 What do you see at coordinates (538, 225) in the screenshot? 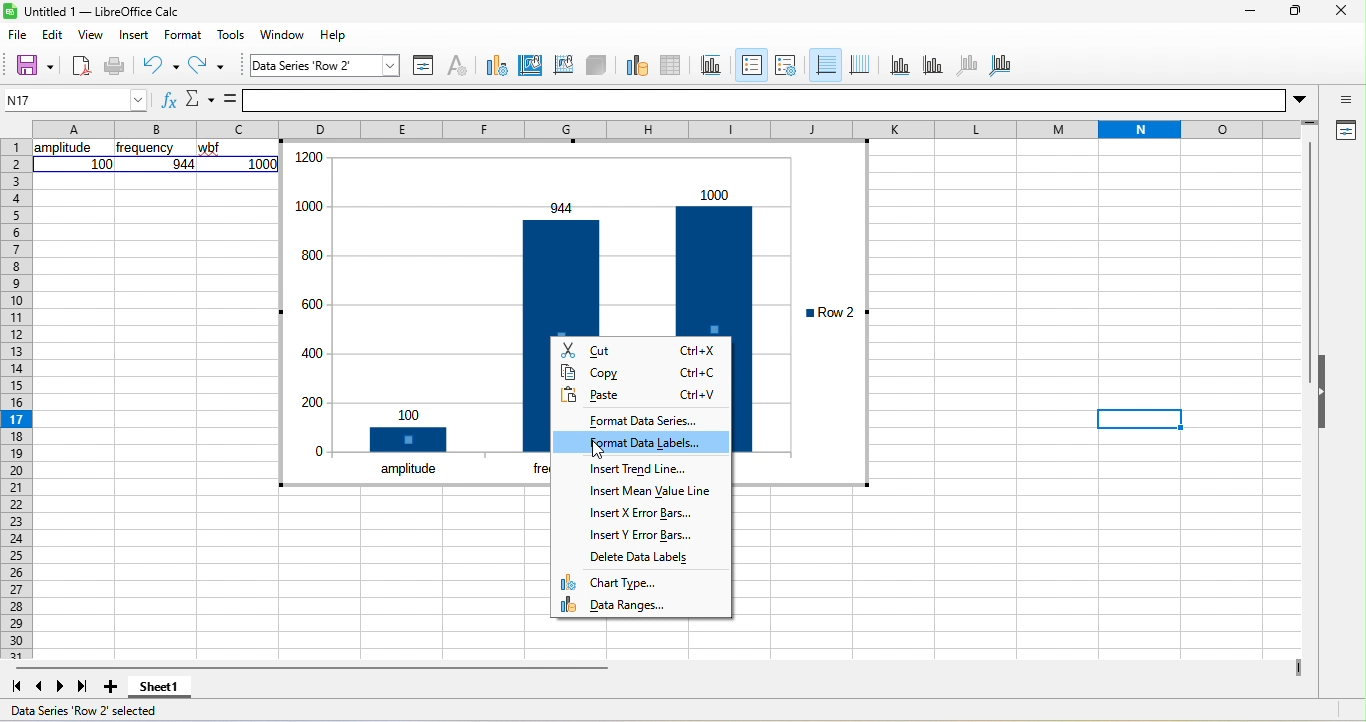
I see `chart` at bounding box center [538, 225].